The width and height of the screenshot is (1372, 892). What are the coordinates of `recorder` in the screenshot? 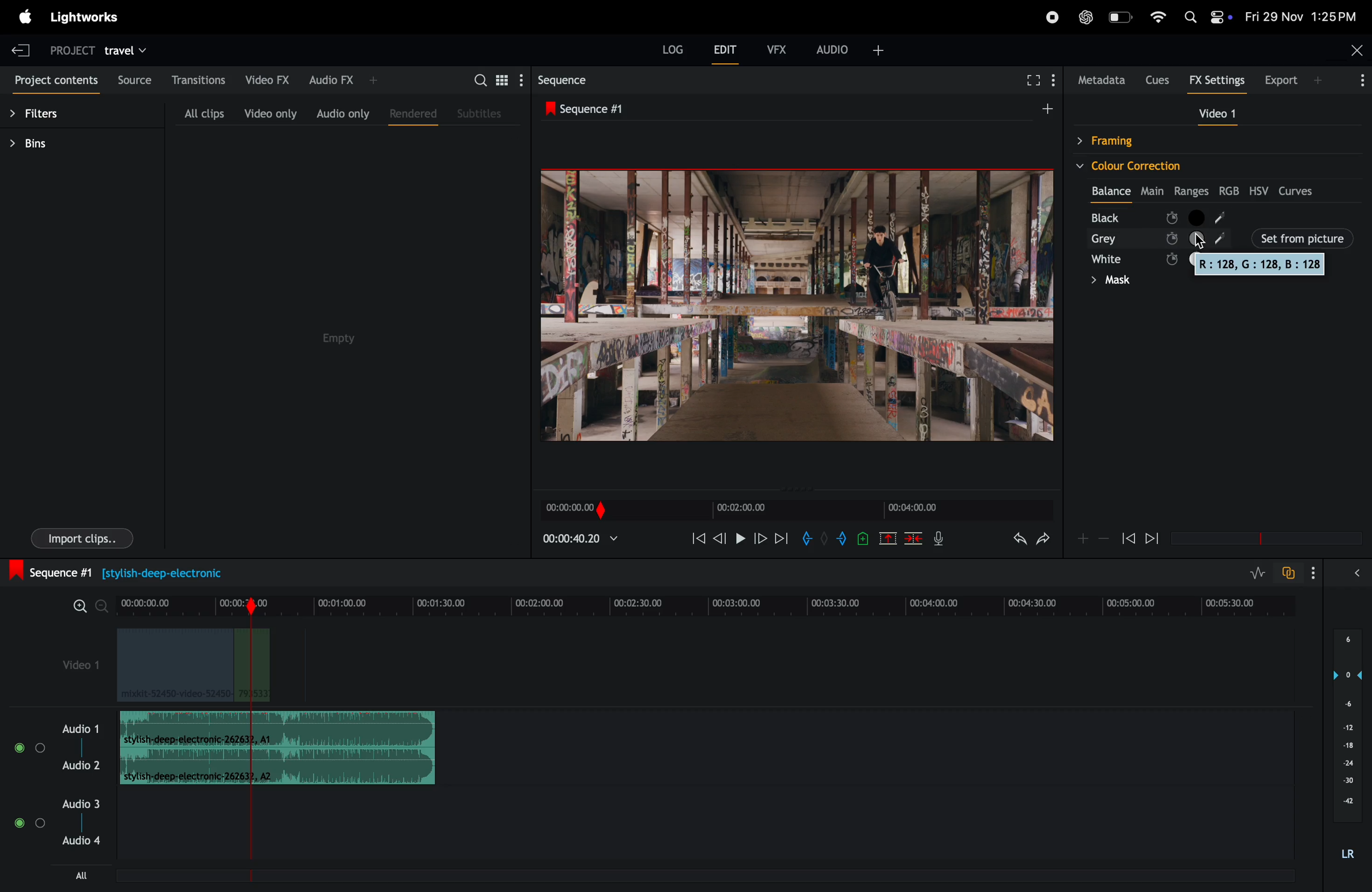 It's located at (1051, 18).